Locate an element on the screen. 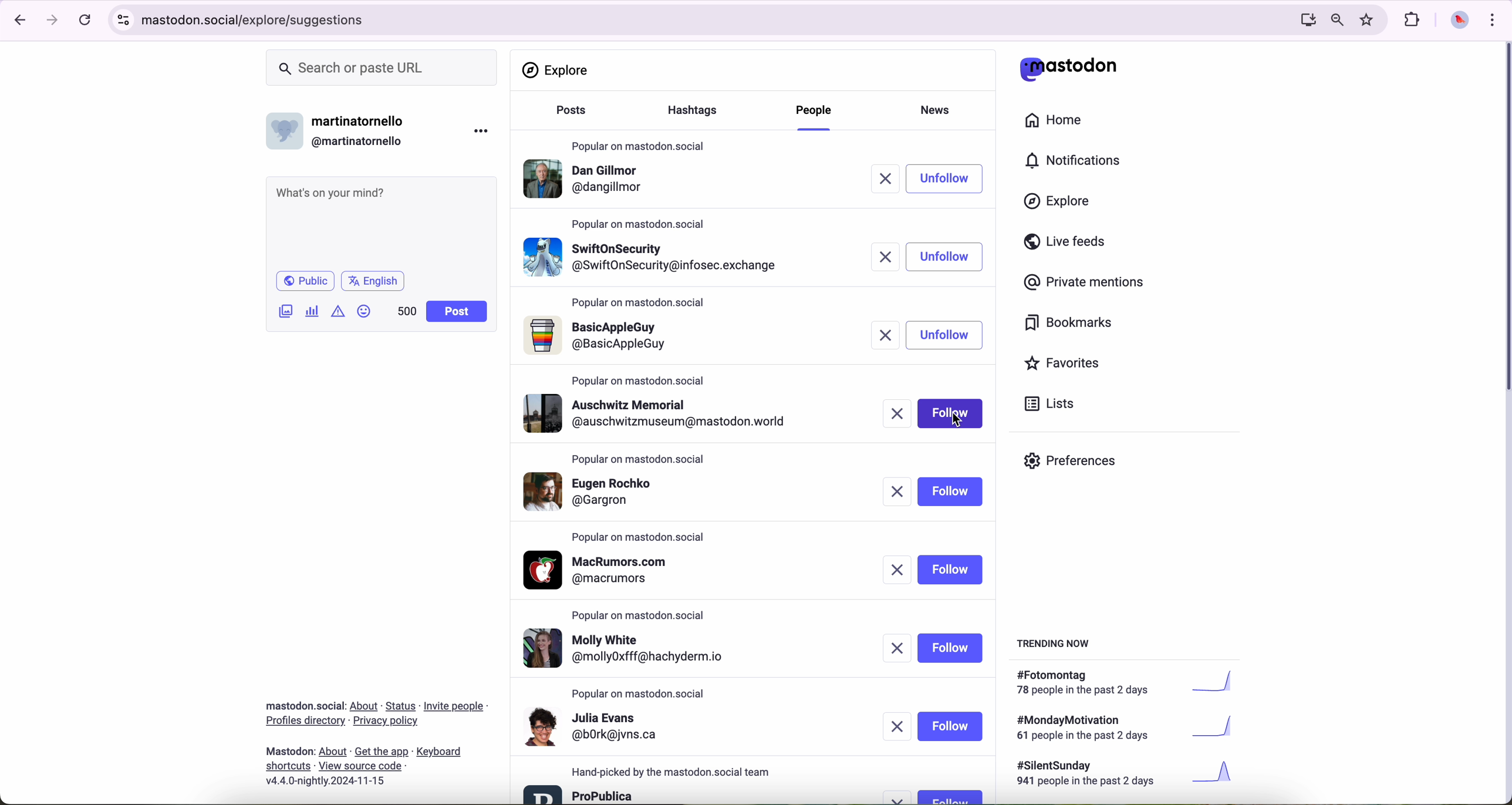  follow button is located at coordinates (950, 796).